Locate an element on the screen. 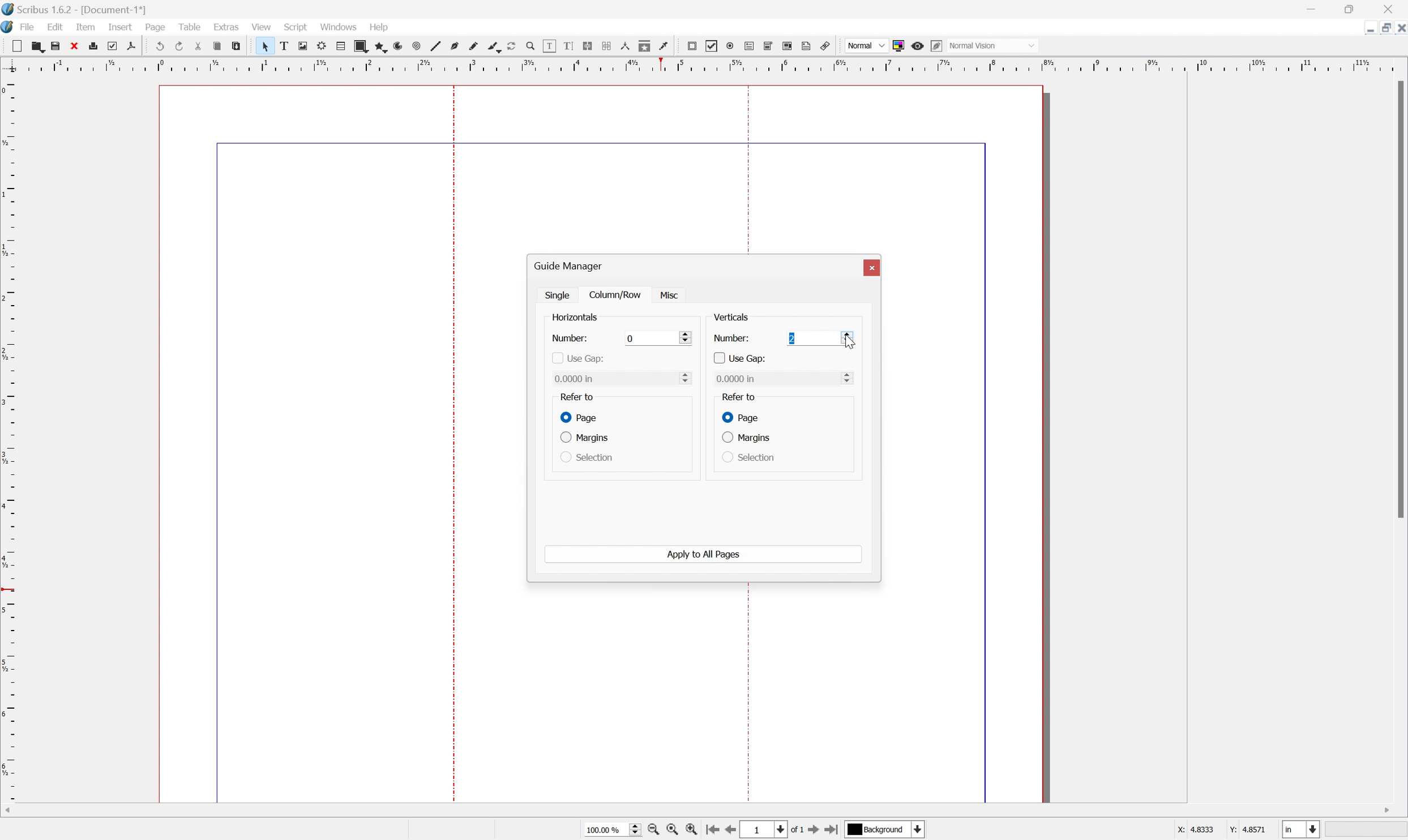  zoom in is located at coordinates (692, 829).